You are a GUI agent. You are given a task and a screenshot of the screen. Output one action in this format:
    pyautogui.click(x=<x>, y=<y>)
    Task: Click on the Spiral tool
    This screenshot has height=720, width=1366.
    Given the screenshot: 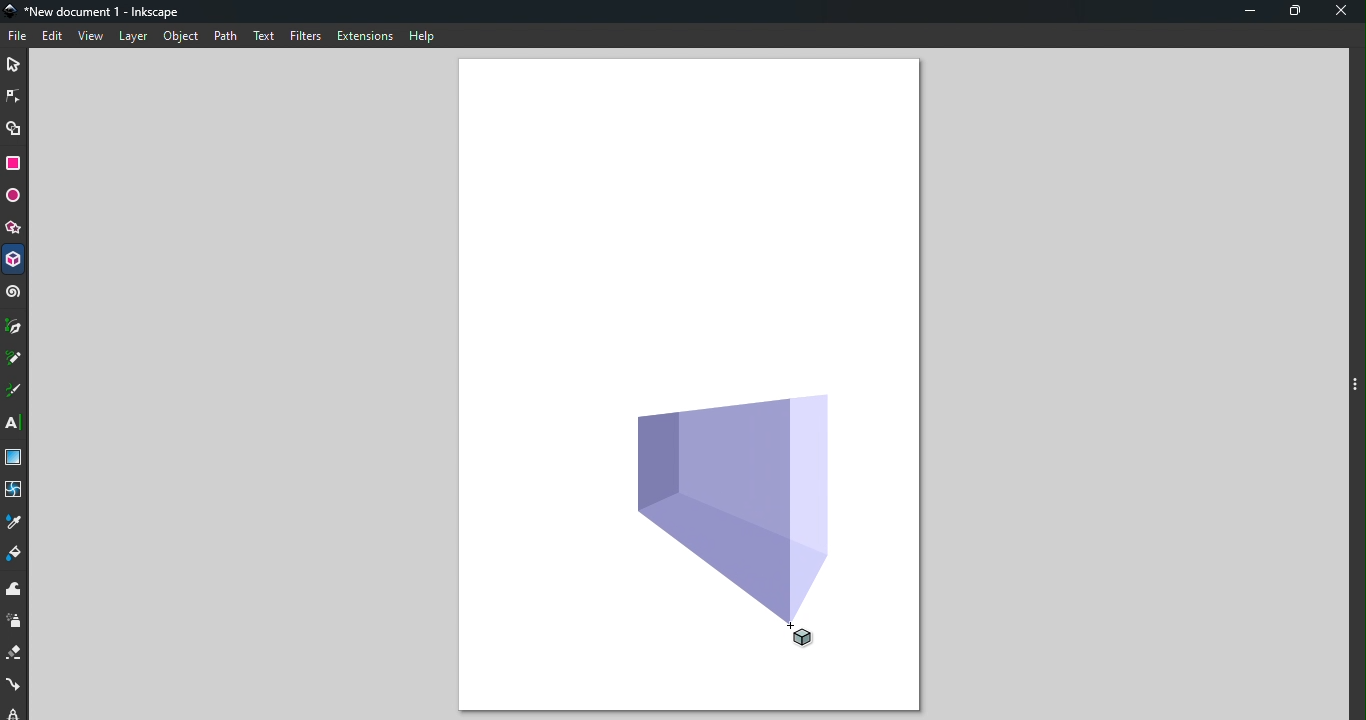 What is the action you would take?
    pyautogui.click(x=14, y=296)
    